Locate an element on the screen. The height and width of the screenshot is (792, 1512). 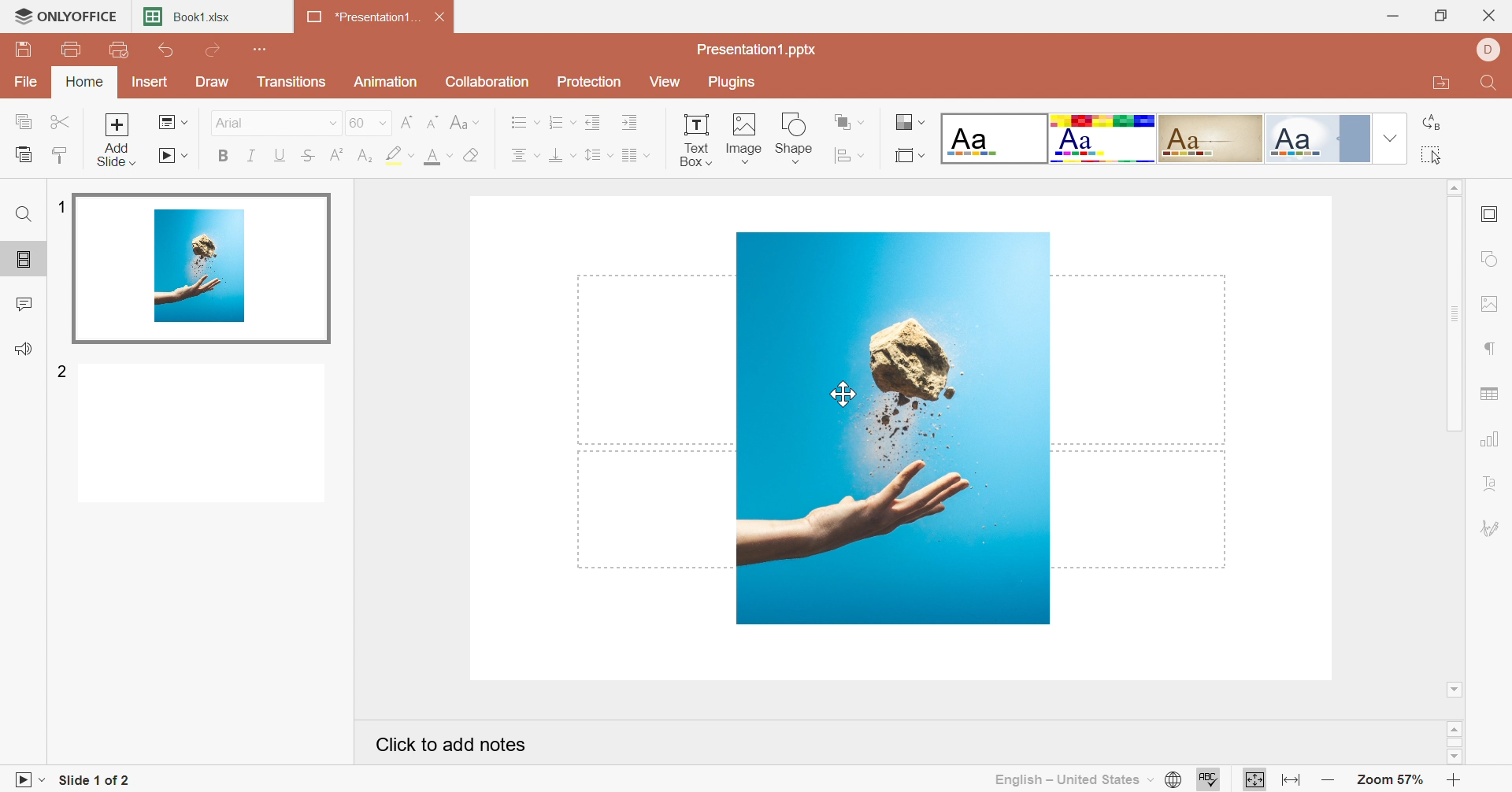
Italic is located at coordinates (251, 156).